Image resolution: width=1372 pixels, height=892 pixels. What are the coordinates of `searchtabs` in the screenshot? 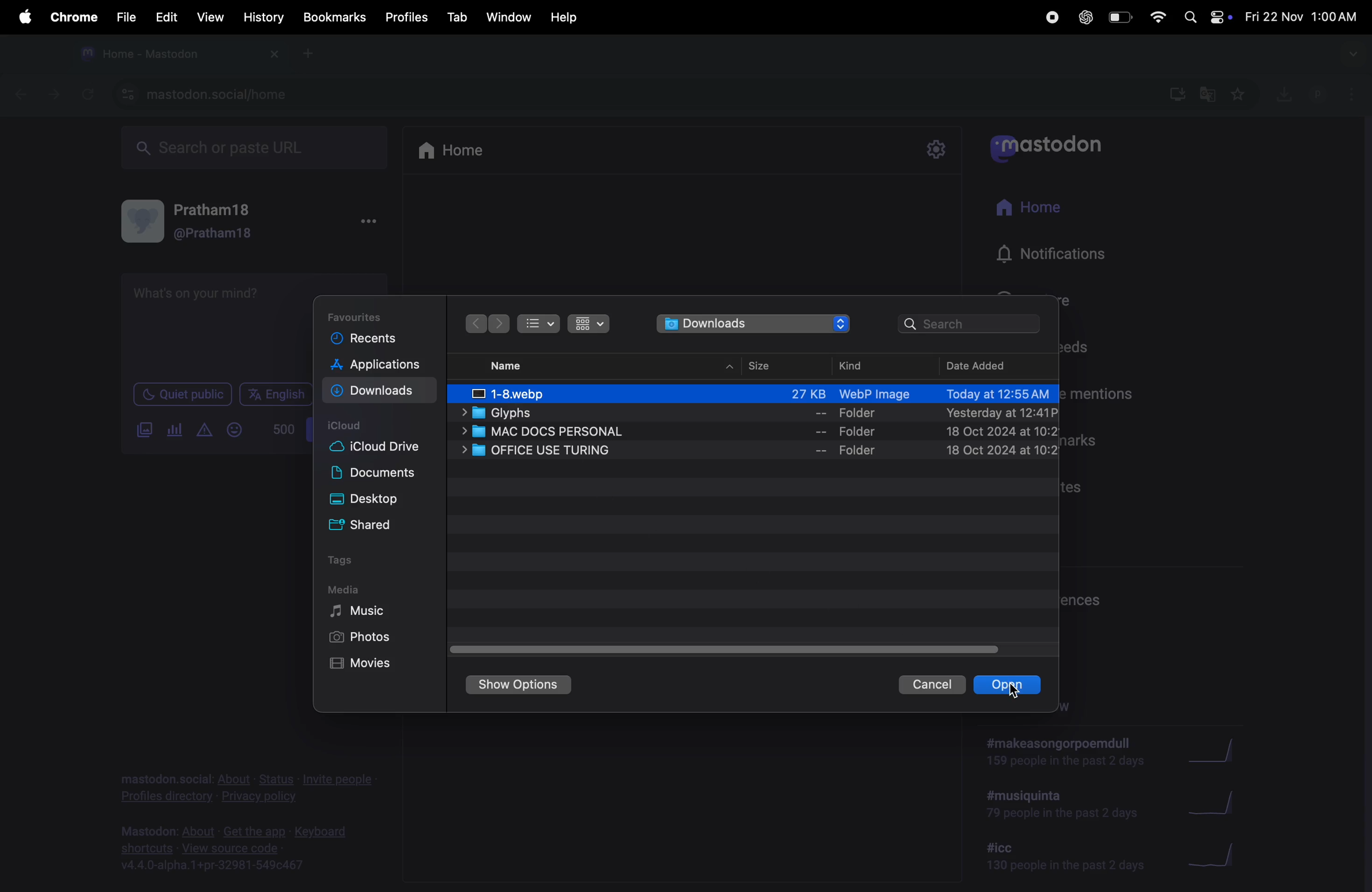 It's located at (1349, 56).